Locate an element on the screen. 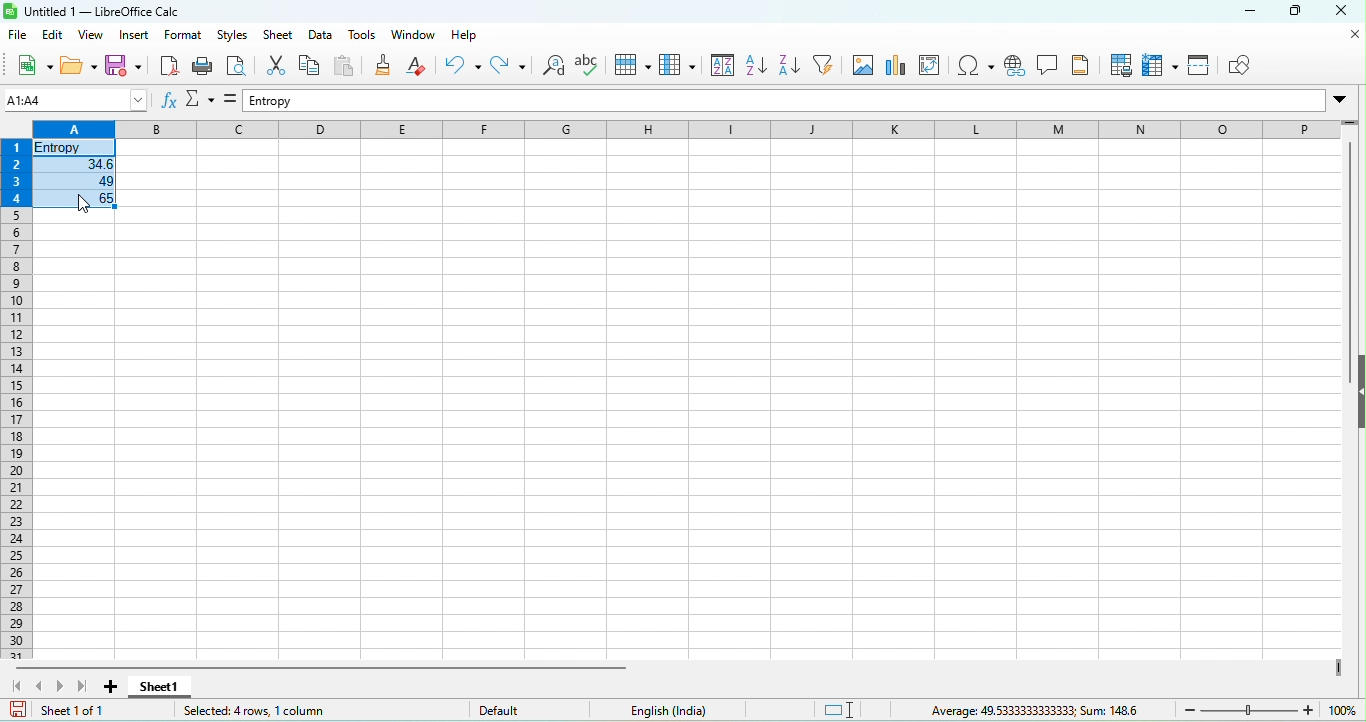  show draw function is located at coordinates (1246, 65).